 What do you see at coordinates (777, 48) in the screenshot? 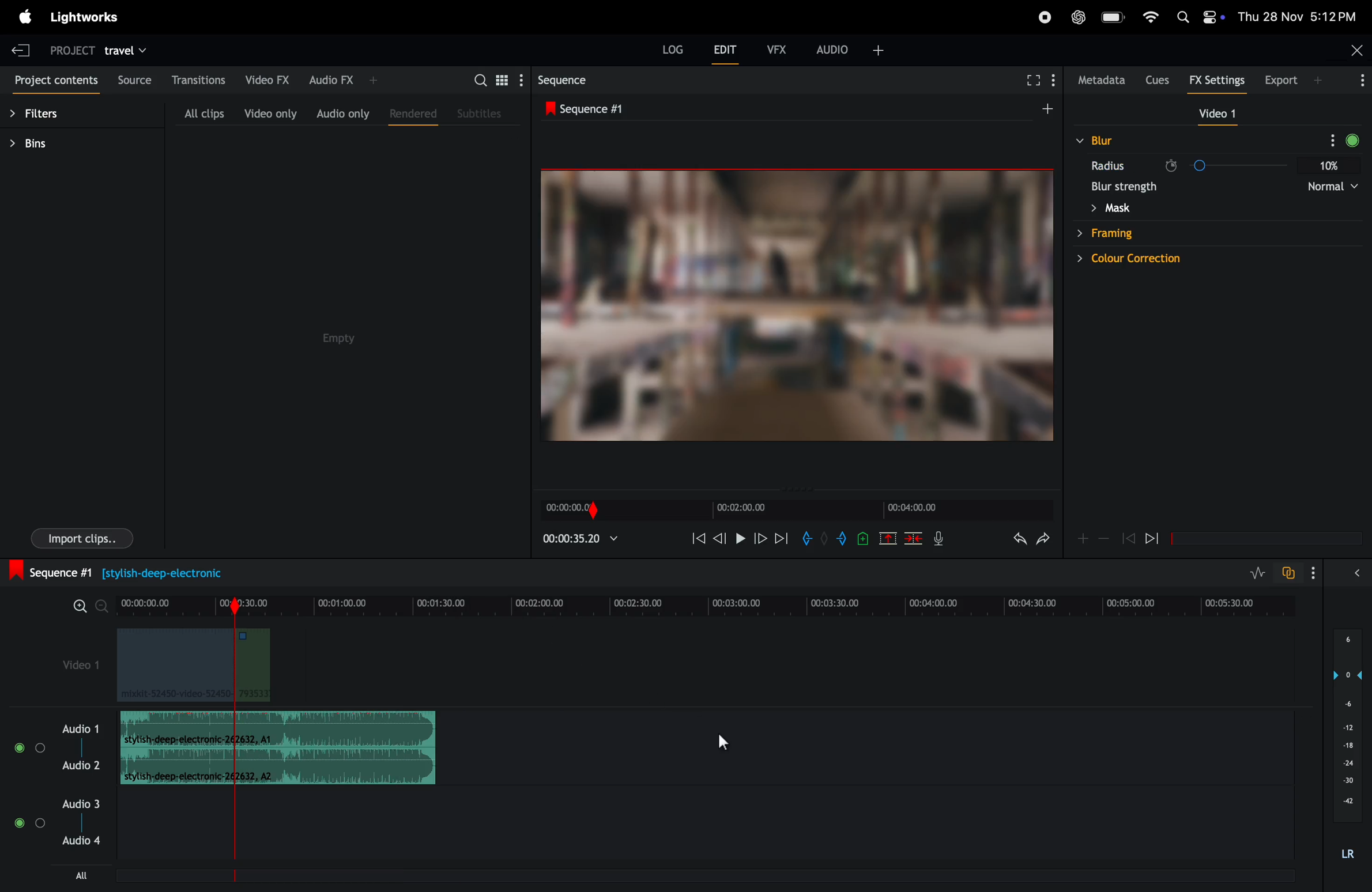
I see `vfx` at bounding box center [777, 48].